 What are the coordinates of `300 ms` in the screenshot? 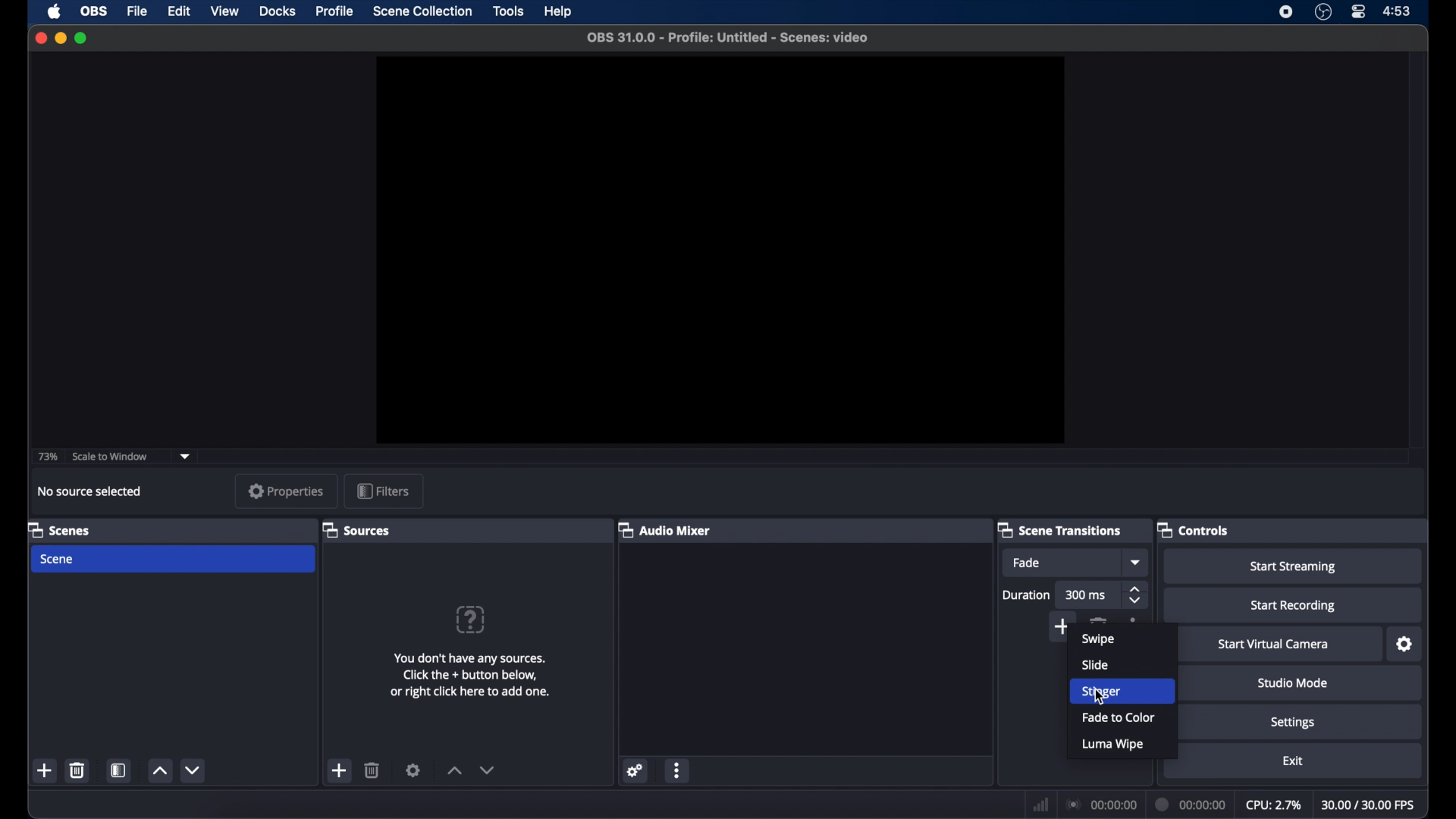 It's located at (1087, 595).